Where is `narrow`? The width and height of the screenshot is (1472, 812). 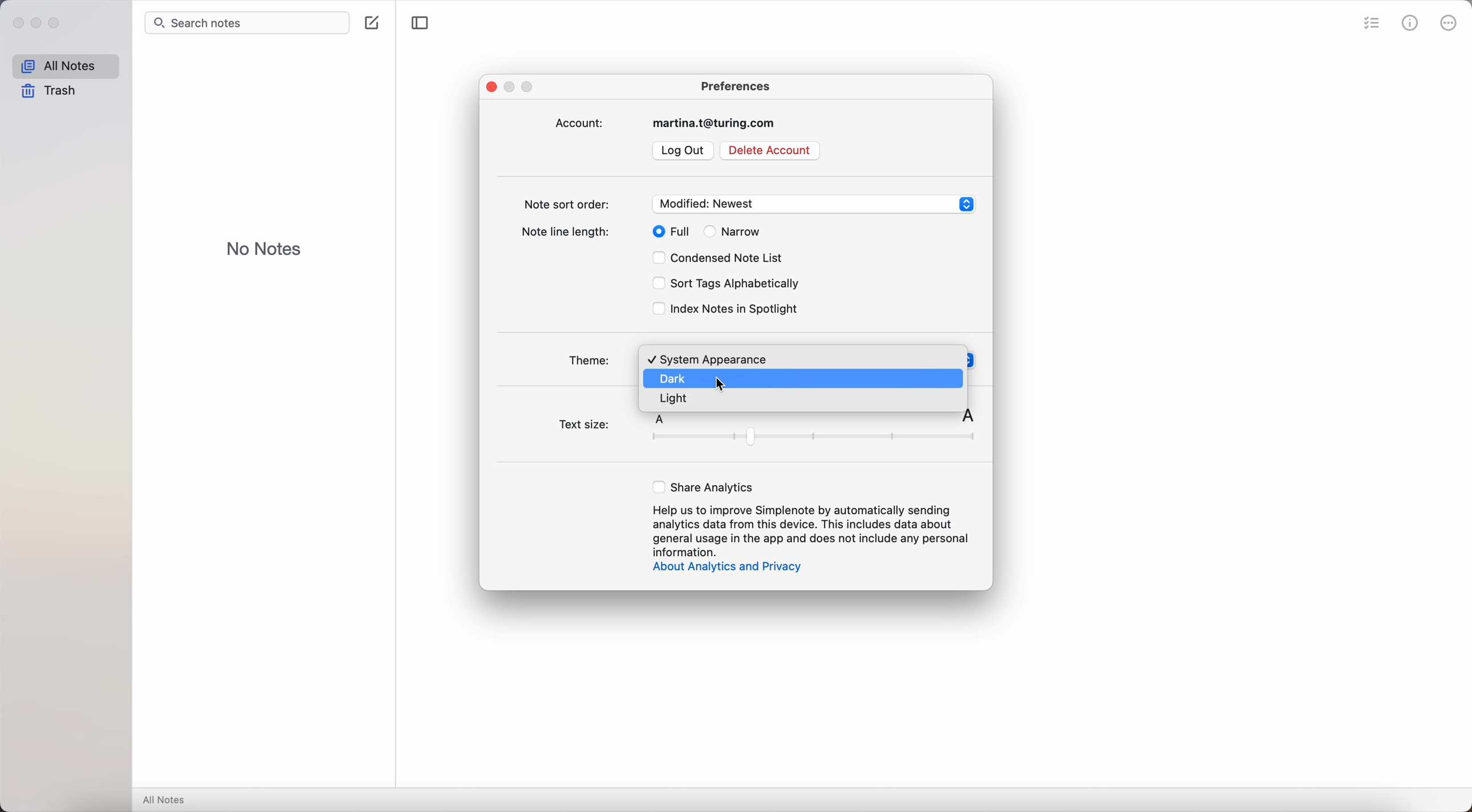 narrow is located at coordinates (733, 231).